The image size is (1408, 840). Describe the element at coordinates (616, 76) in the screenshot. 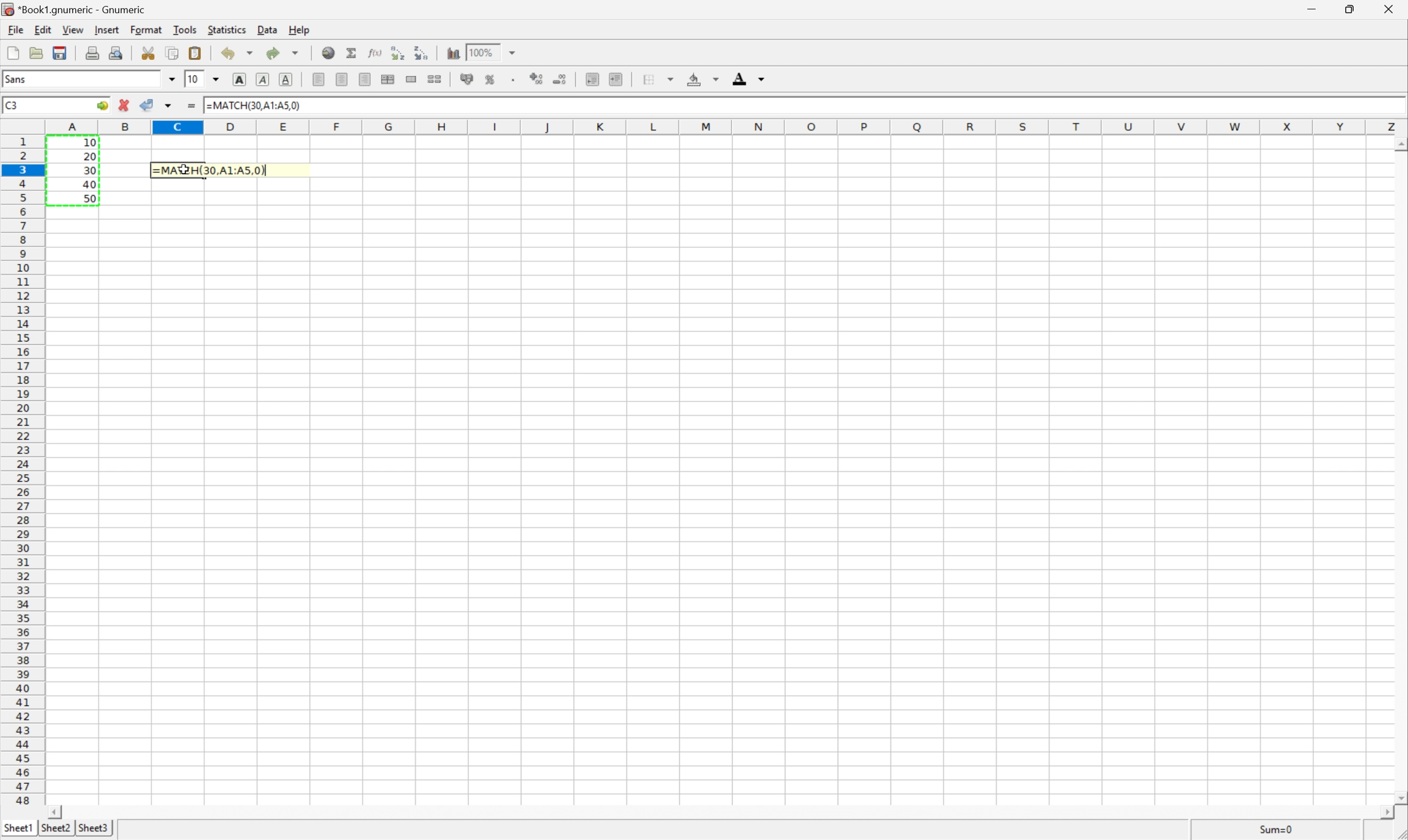

I see `Increase the indent, and align the contents to the left` at that location.